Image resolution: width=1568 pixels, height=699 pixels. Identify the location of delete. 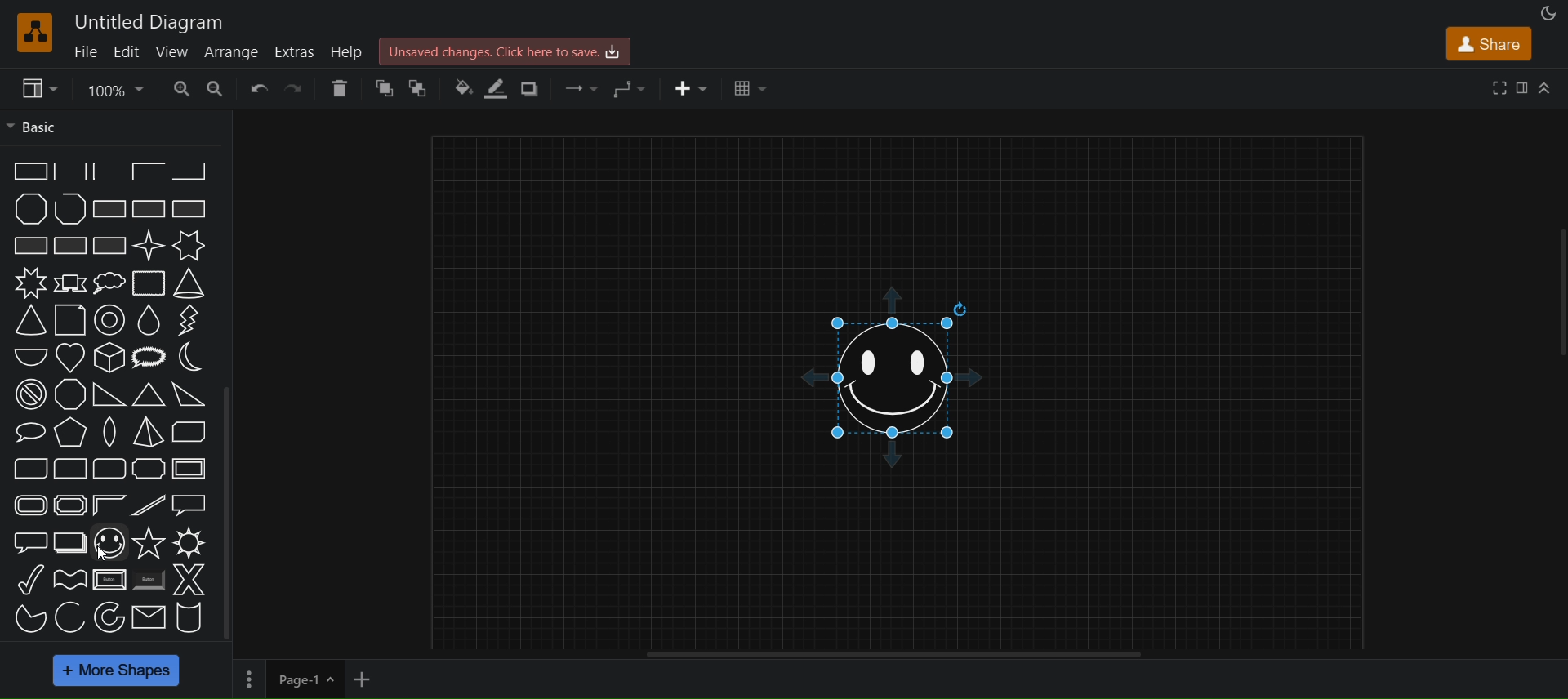
(336, 86).